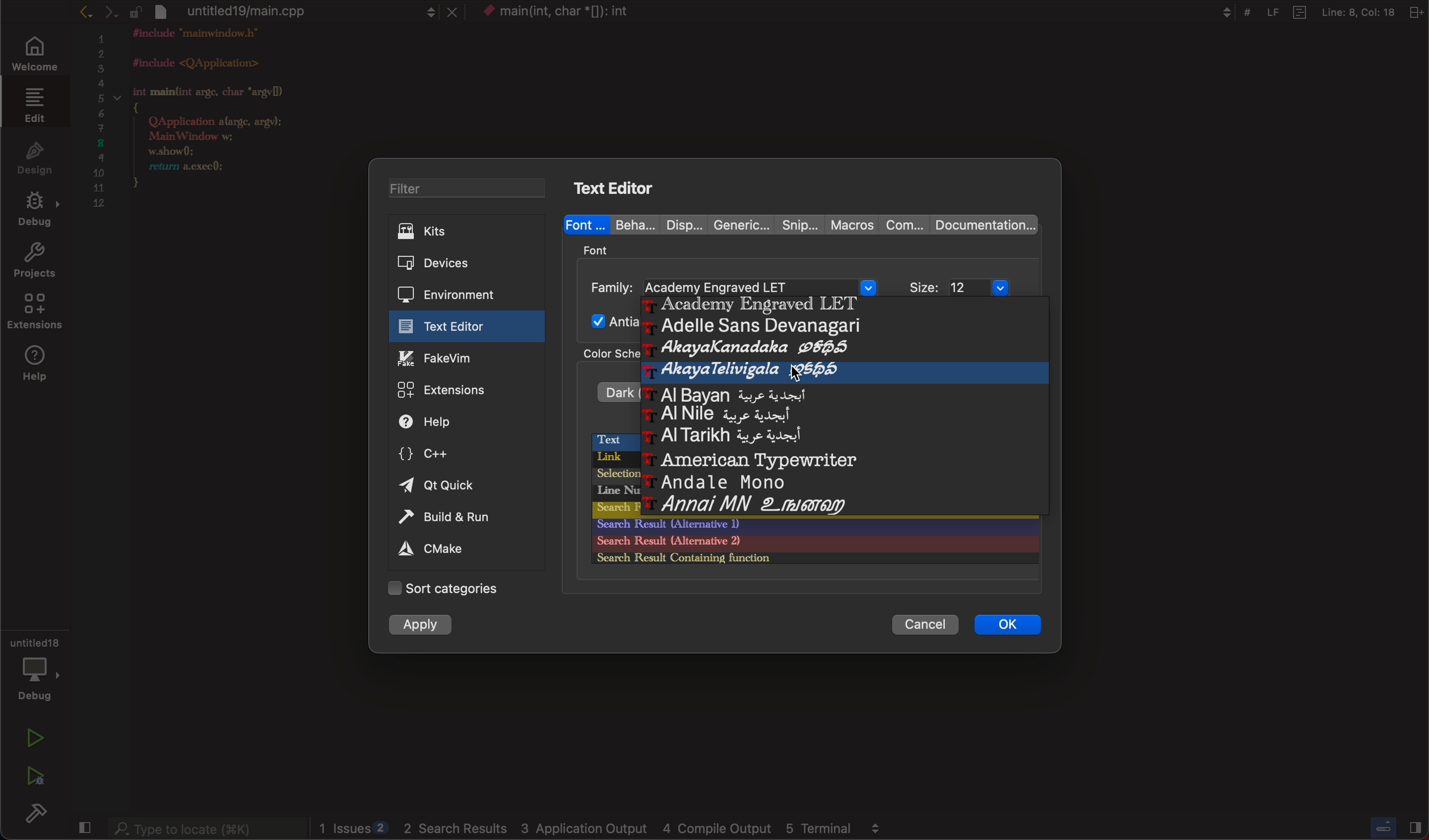 This screenshot has height=840, width=1429. What do you see at coordinates (570, 13) in the screenshot?
I see `context` at bounding box center [570, 13].